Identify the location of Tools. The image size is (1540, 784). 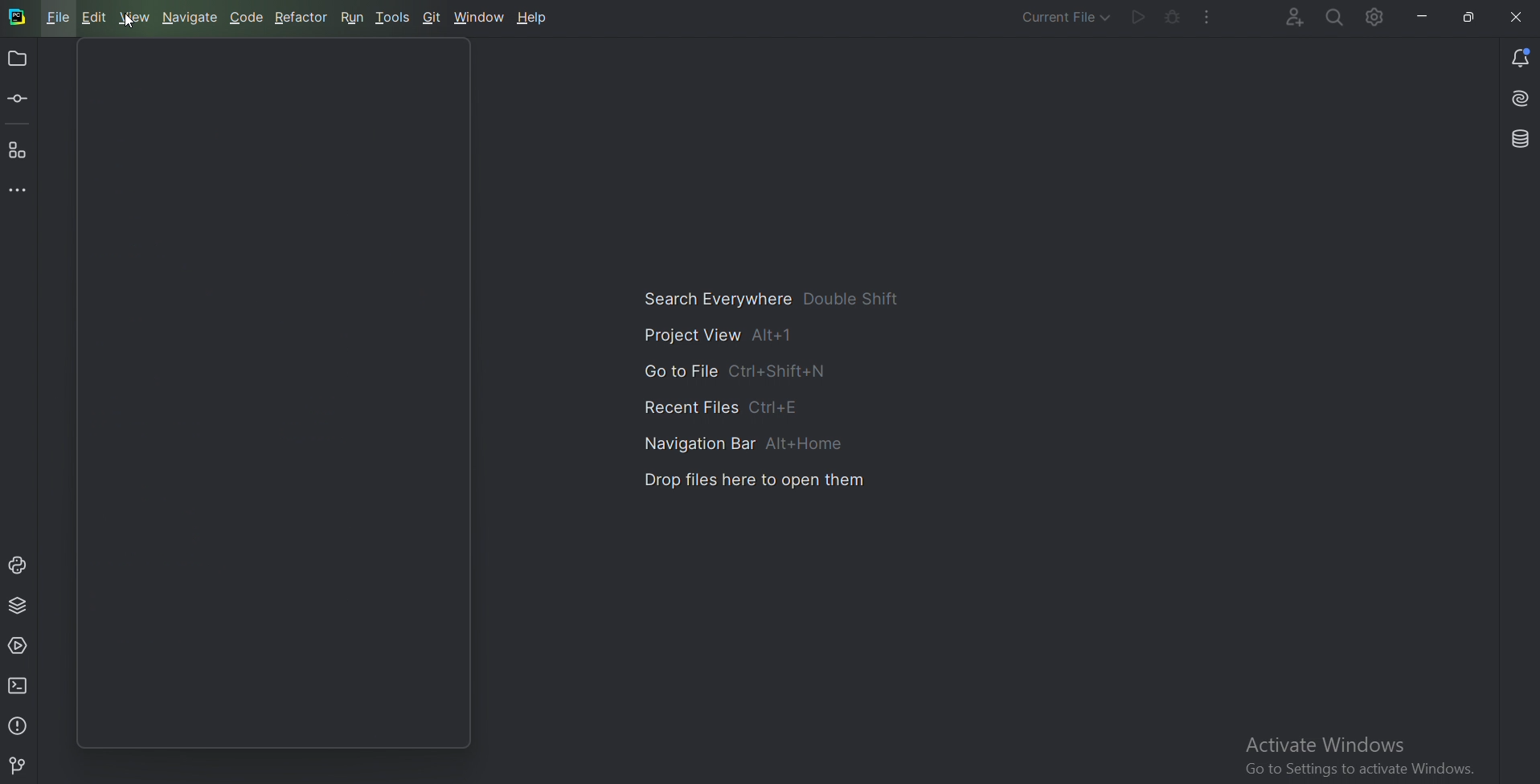
(394, 15).